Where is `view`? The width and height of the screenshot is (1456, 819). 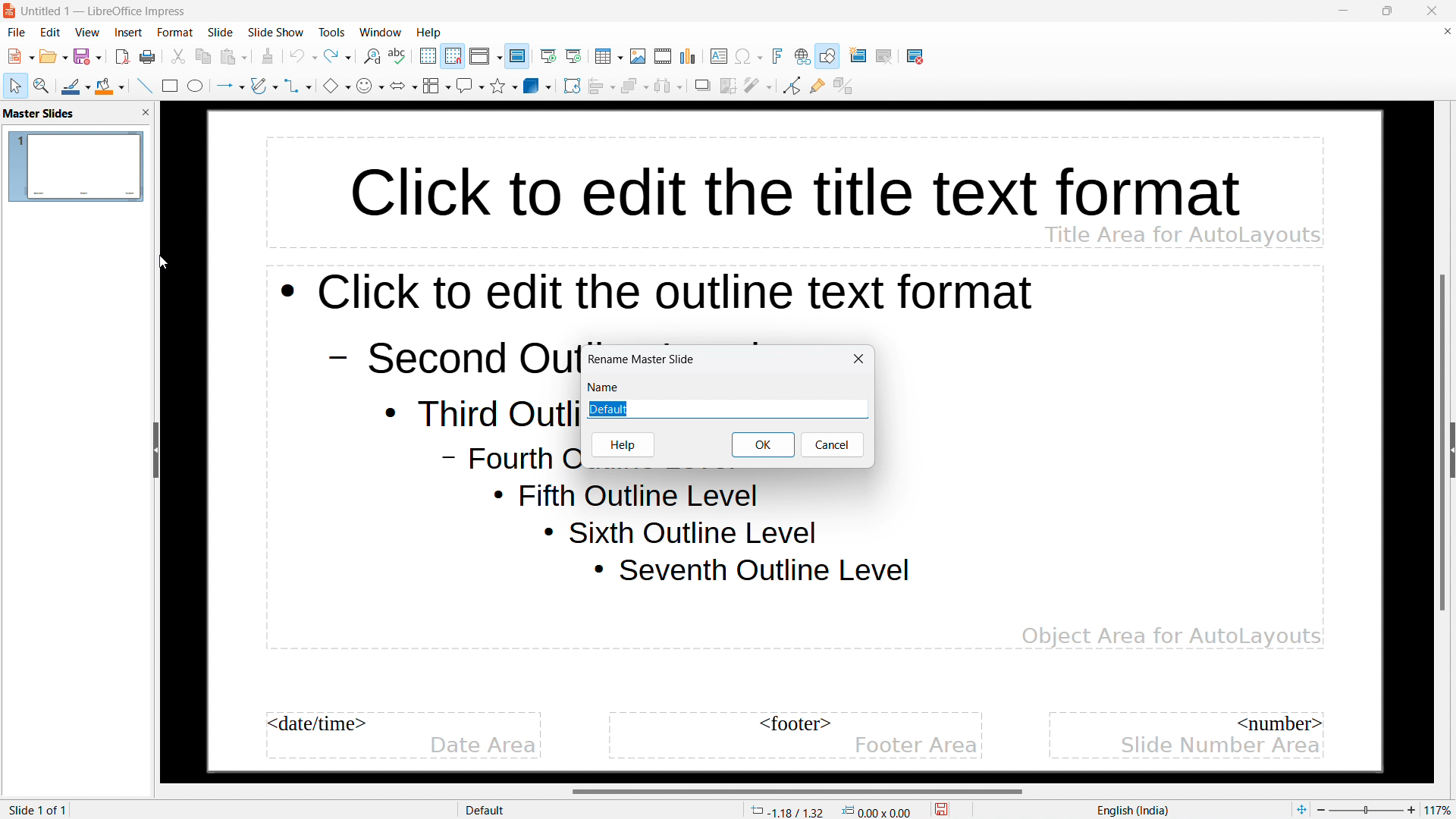 view is located at coordinates (86, 33).